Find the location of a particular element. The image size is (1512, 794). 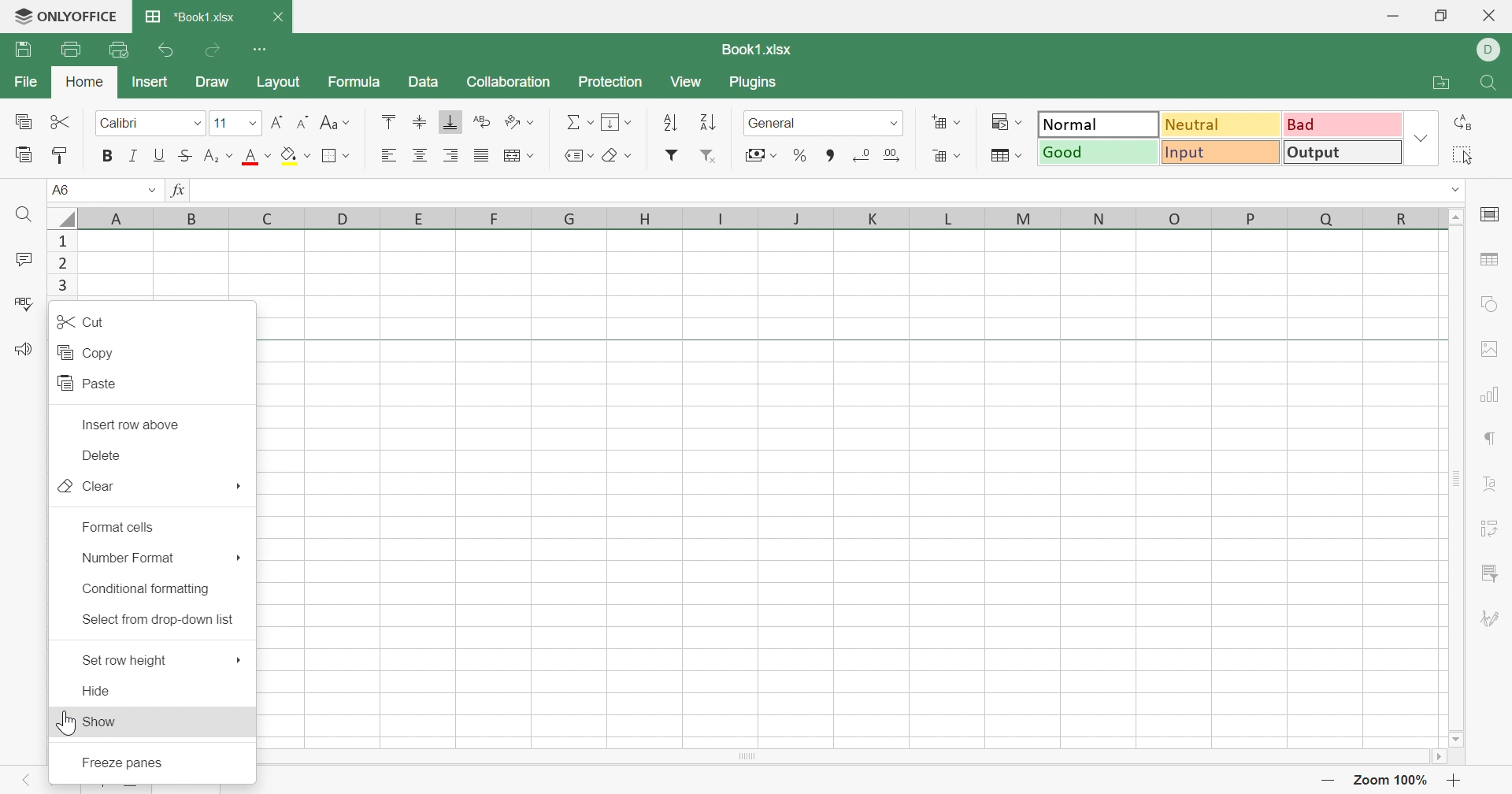

Book1.xlsx is located at coordinates (762, 50).